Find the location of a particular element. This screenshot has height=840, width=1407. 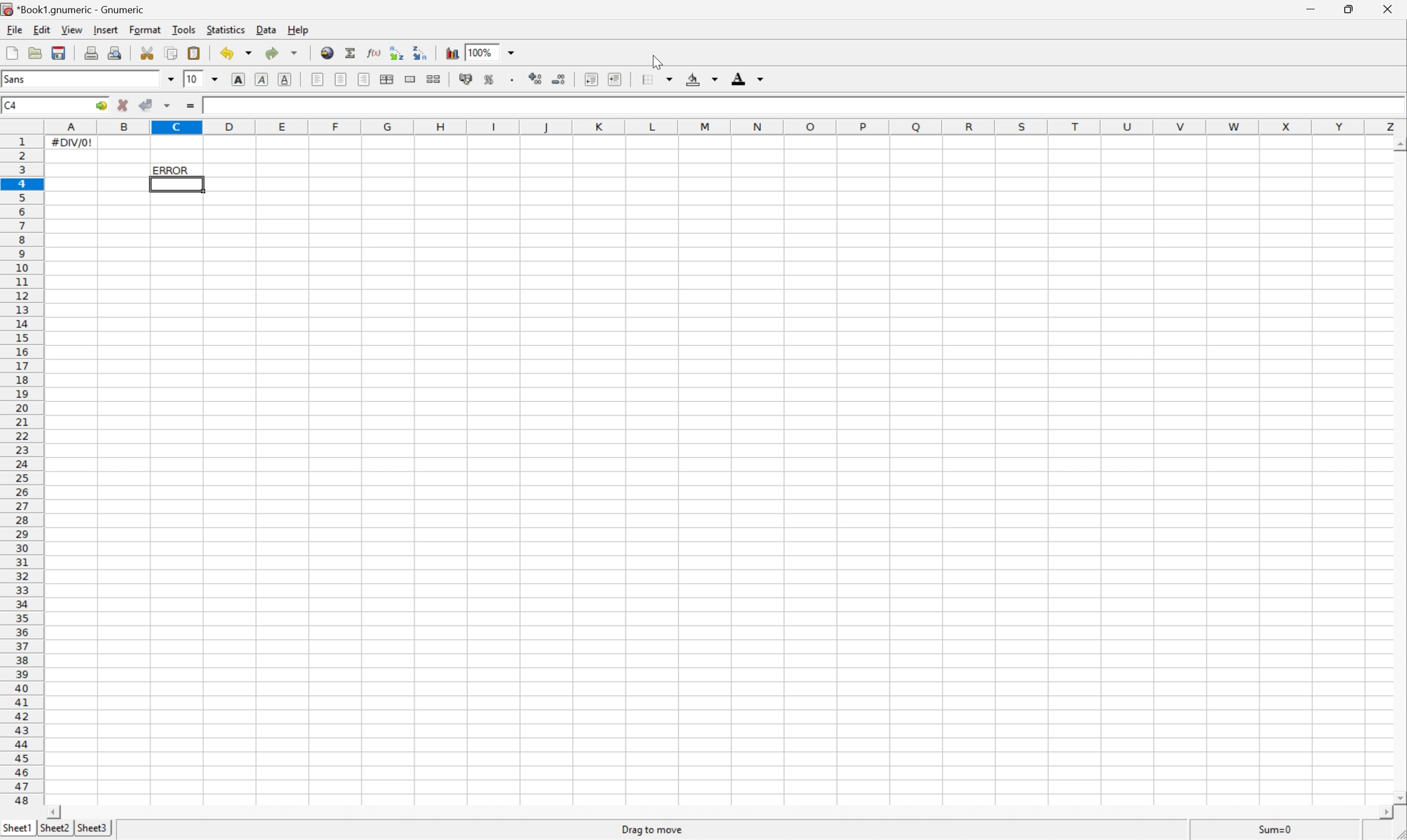

accept change is located at coordinates (146, 104).